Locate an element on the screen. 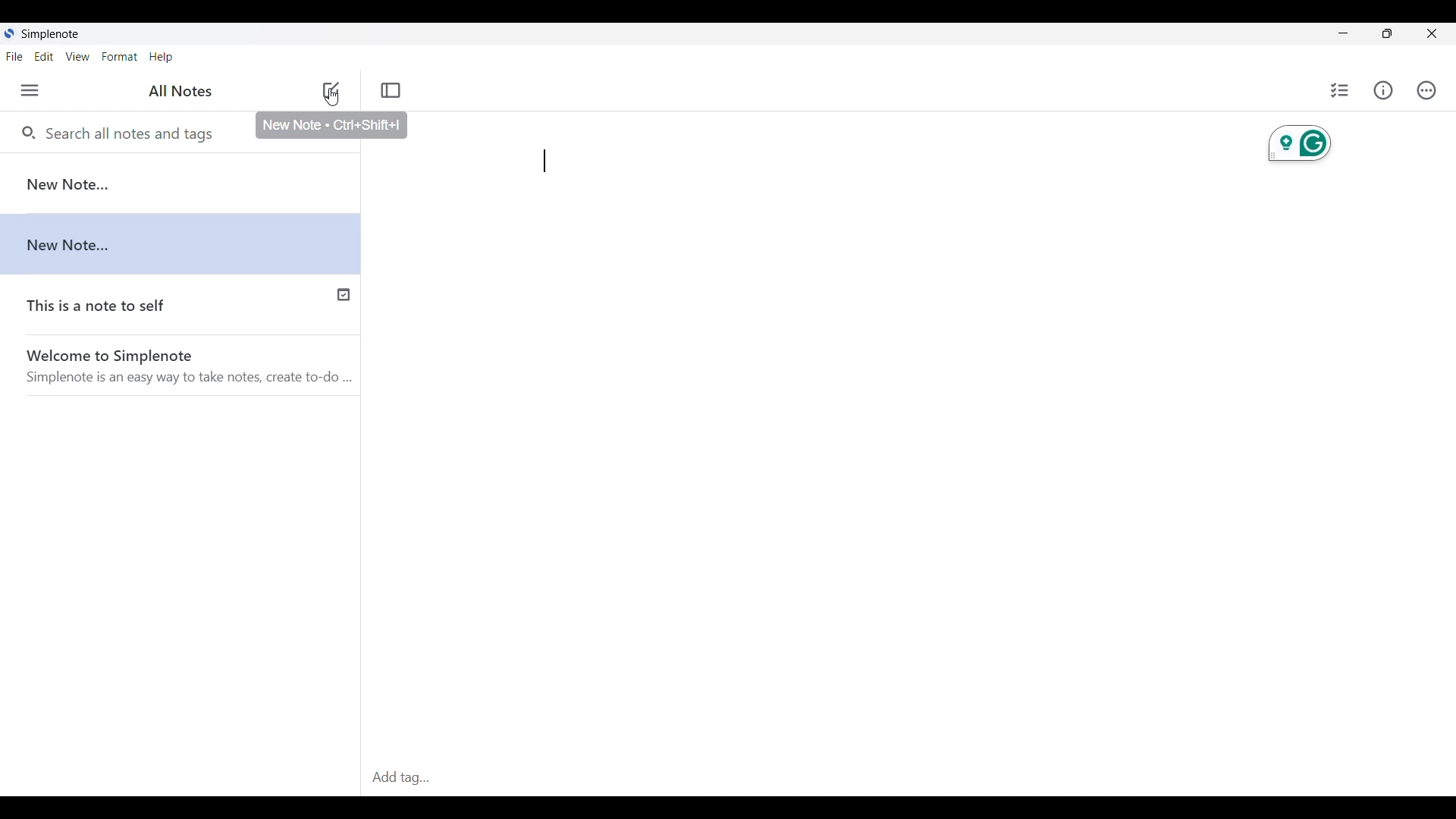 Image resolution: width=1456 pixels, height=819 pixels. Click to add new note is located at coordinates (330, 90).